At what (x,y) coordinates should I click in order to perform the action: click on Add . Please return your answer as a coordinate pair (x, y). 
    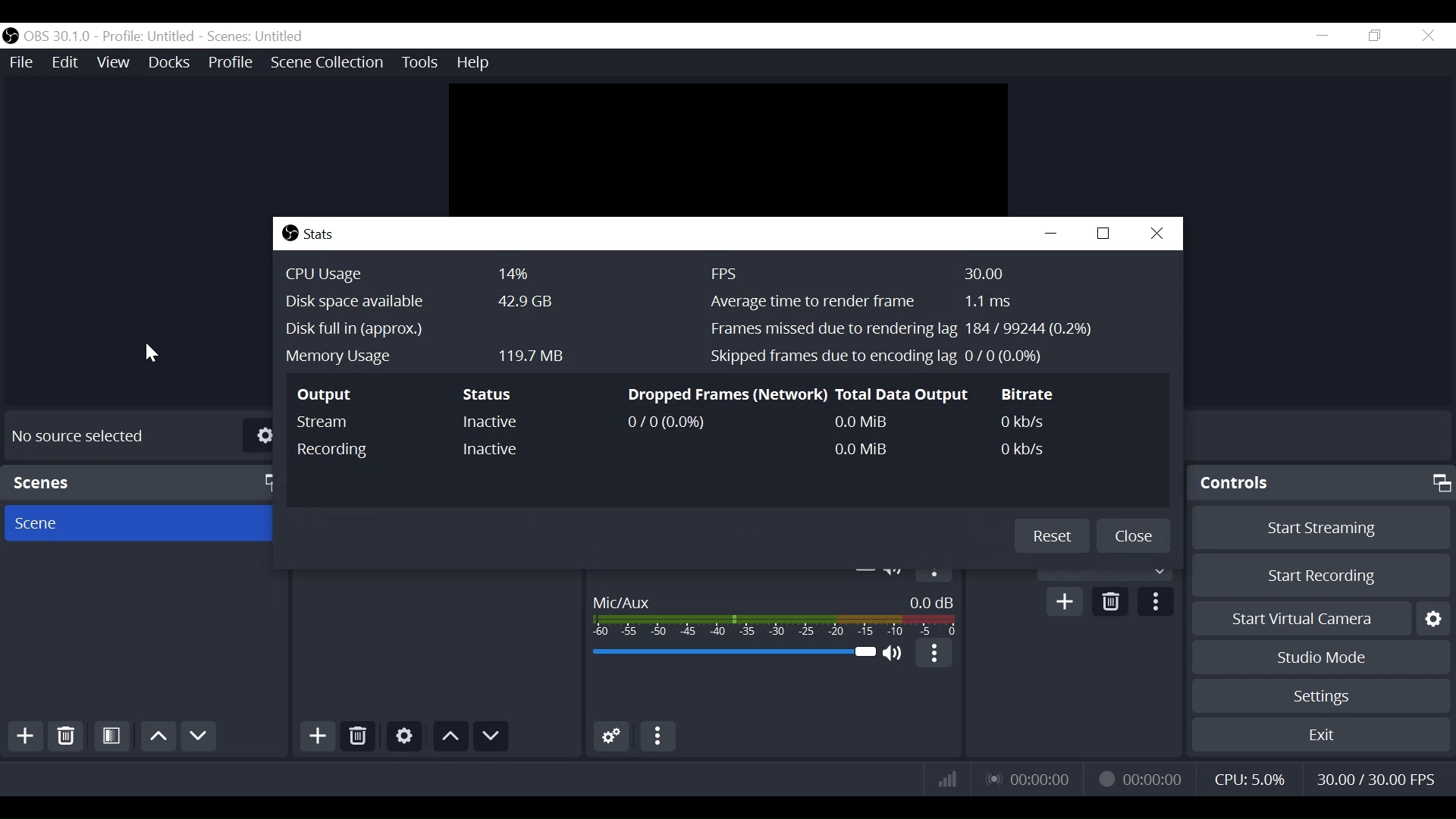
    Looking at the image, I should click on (1065, 603).